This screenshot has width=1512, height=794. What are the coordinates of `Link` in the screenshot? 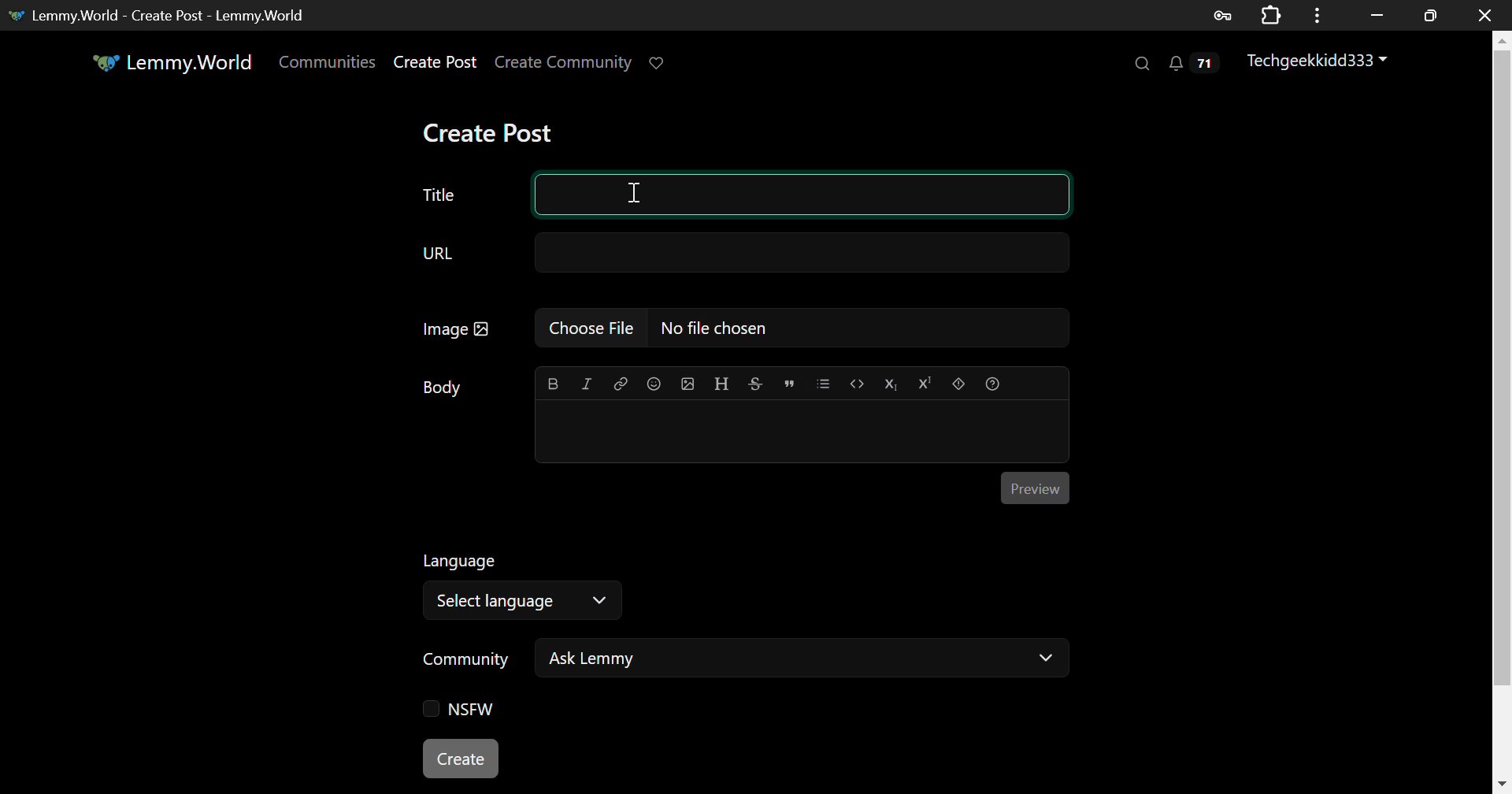 It's located at (619, 382).